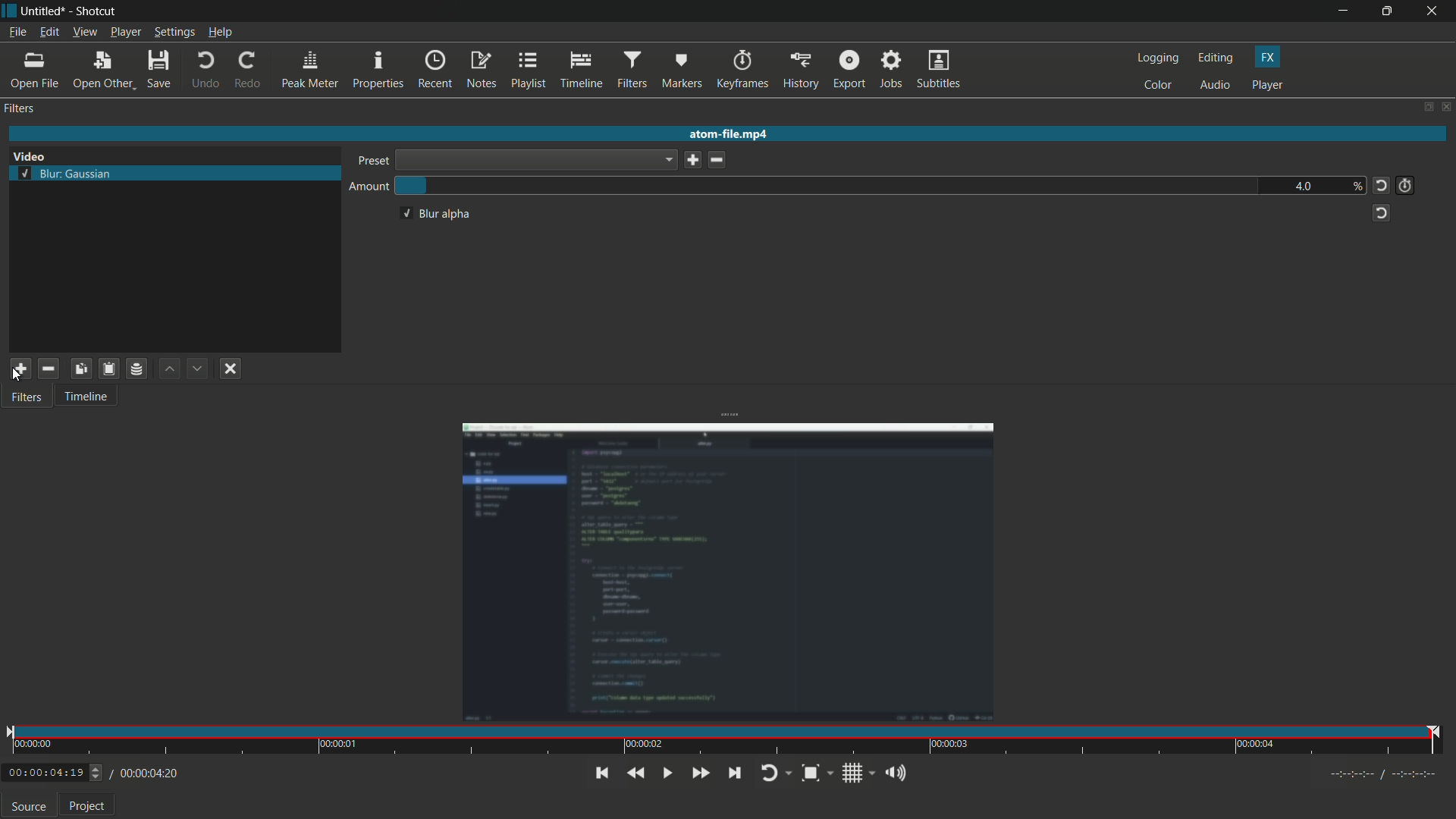 Image resolution: width=1456 pixels, height=819 pixels. I want to click on peak meter, so click(308, 71).